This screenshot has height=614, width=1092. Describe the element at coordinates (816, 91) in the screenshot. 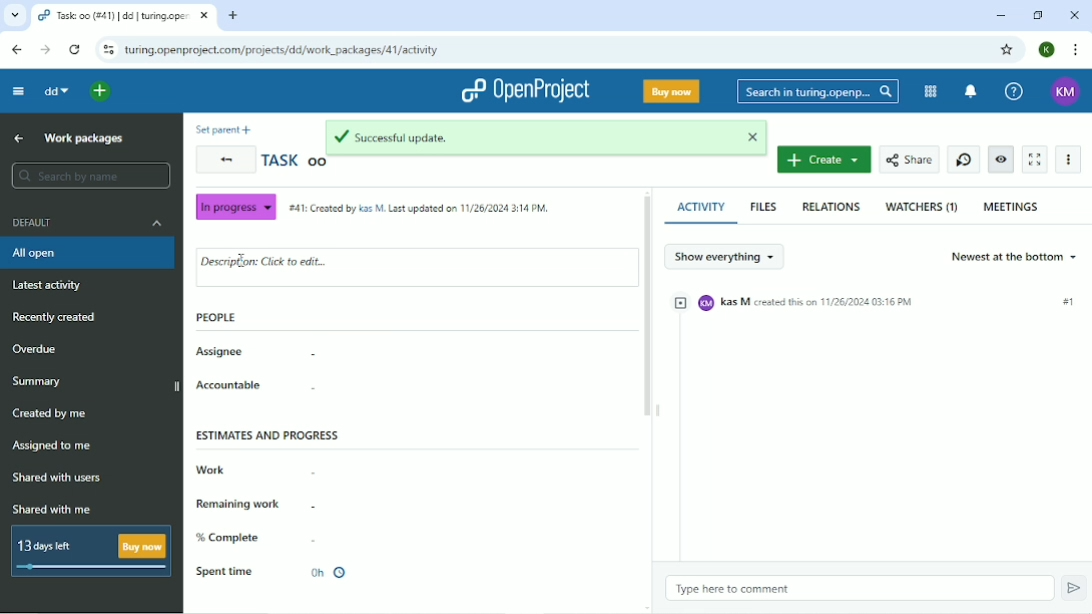

I see `Search in turing.openproject.com` at that location.